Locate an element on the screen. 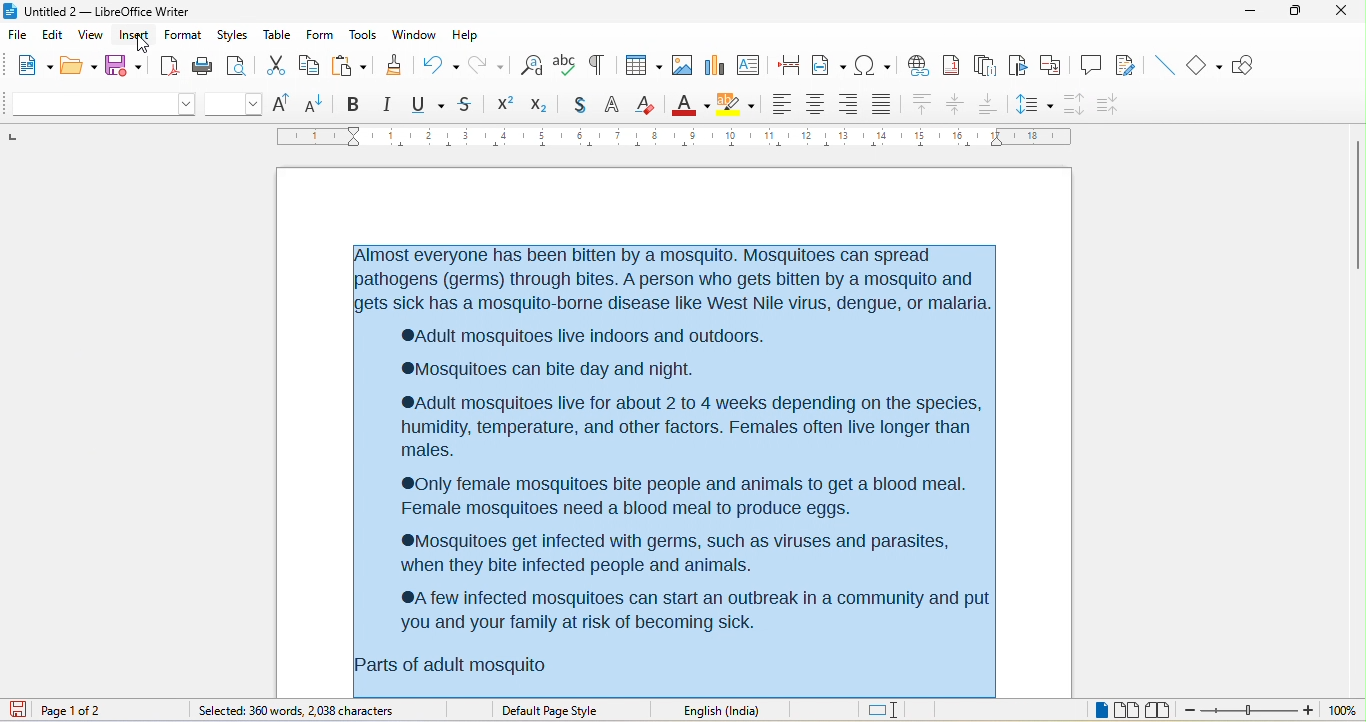 The image size is (1366, 722). clear direct formatting is located at coordinates (647, 102).